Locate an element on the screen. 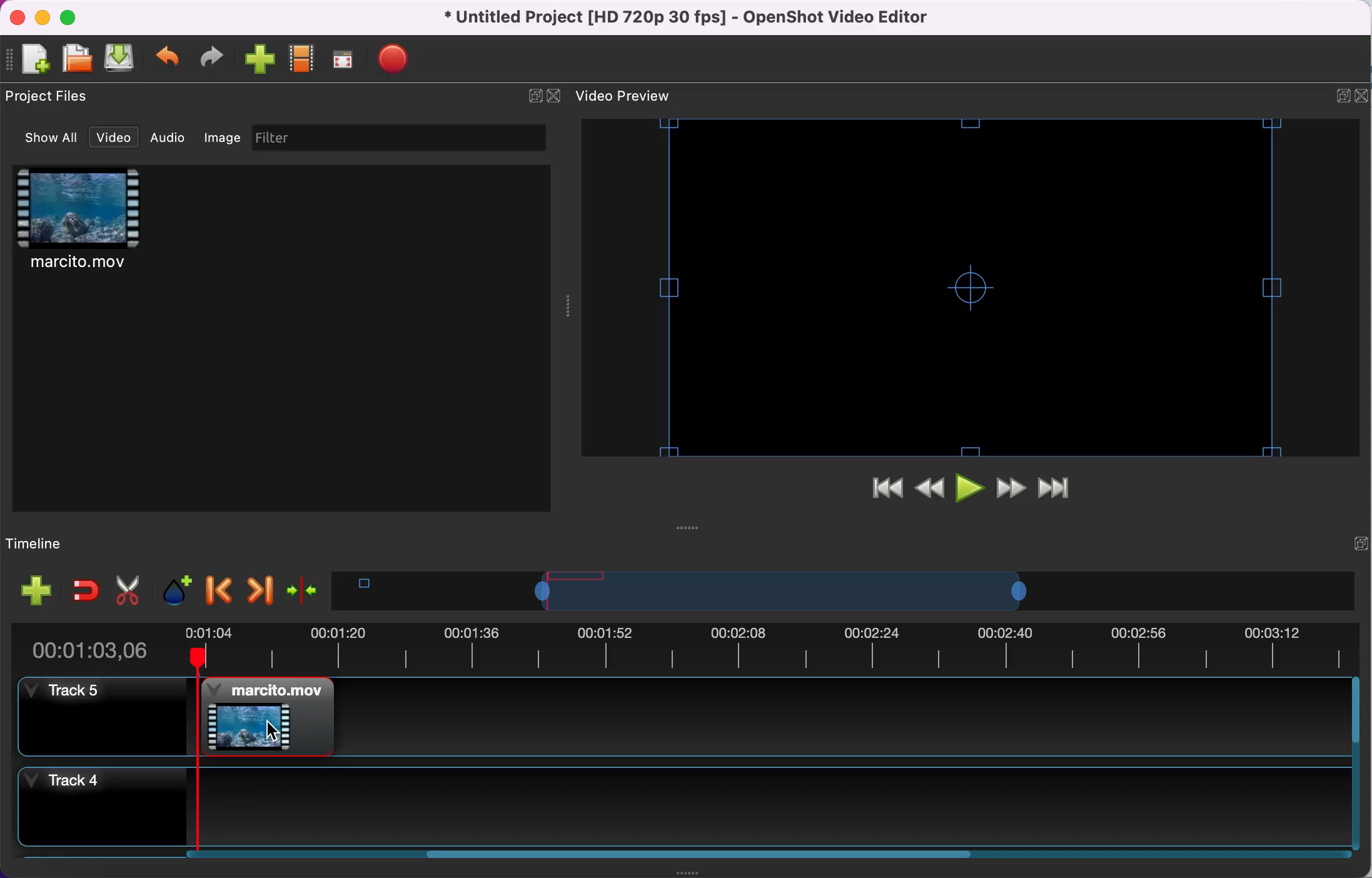 This screenshot has width=1372, height=878. Vertical slide bar is located at coordinates (1356, 762).